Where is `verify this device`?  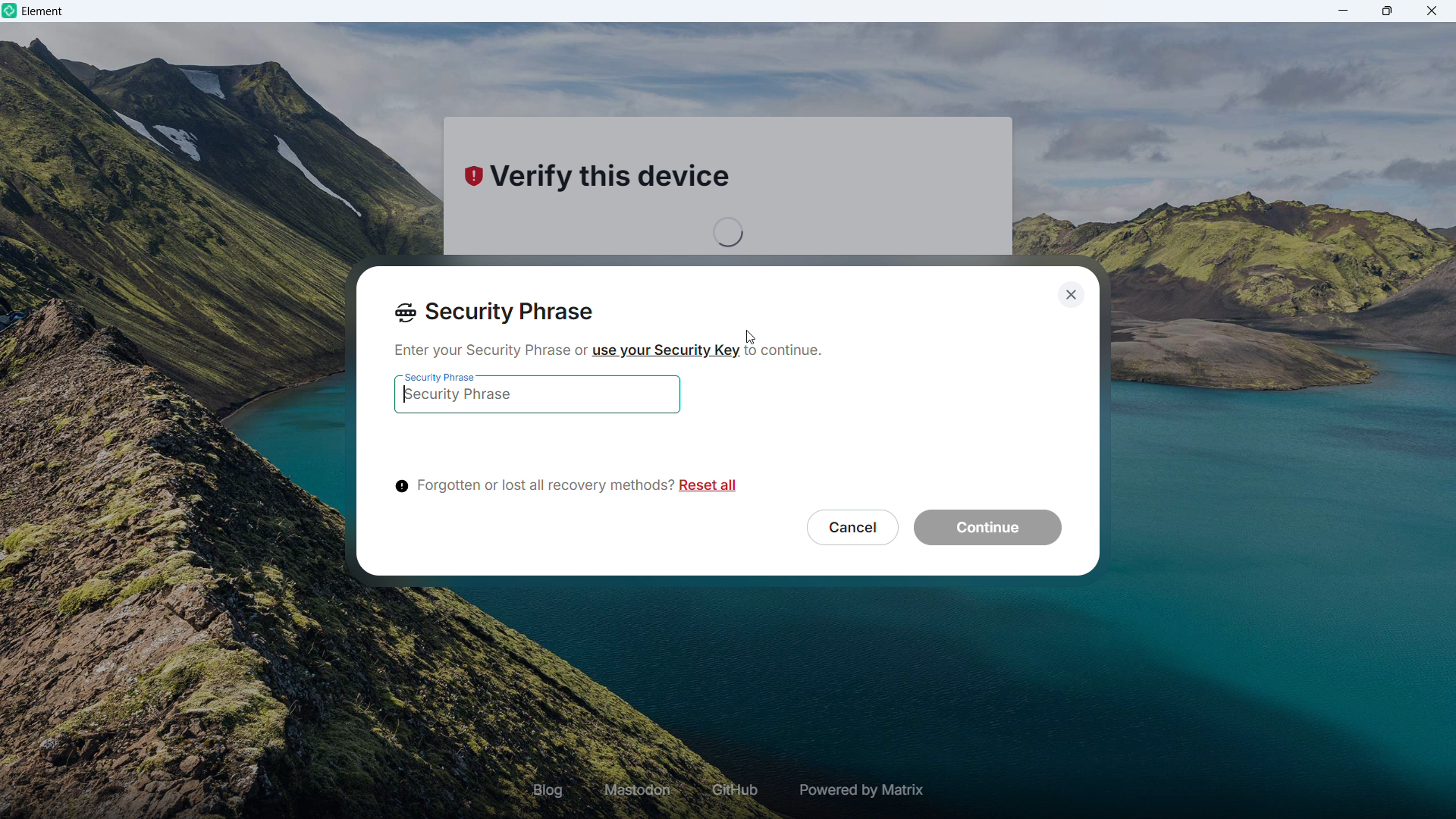 verify this device is located at coordinates (622, 183).